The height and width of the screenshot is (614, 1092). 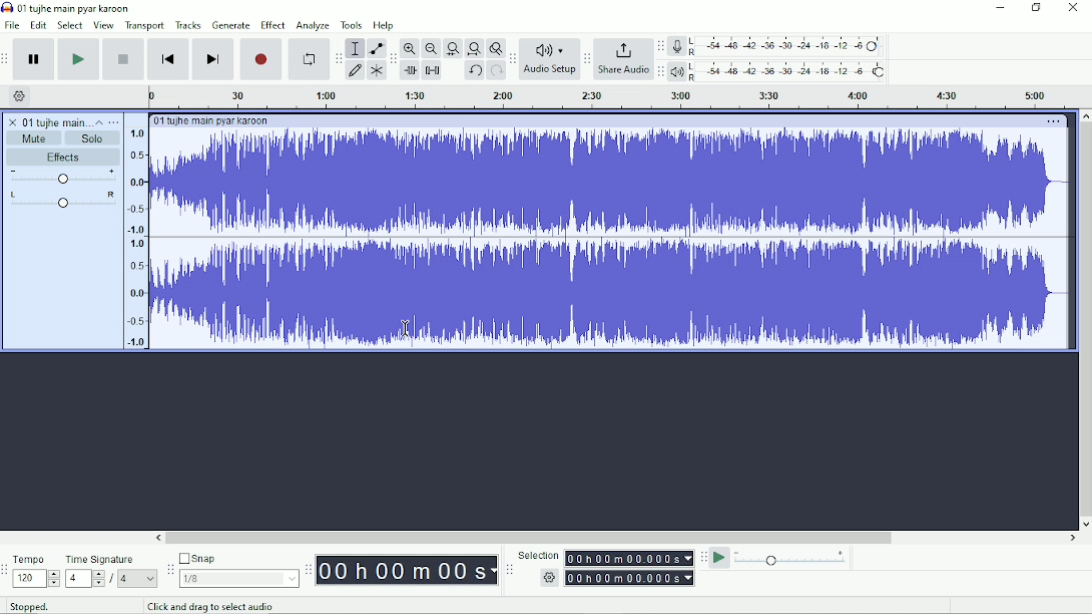 I want to click on Audacity tools toolbar, so click(x=340, y=57).